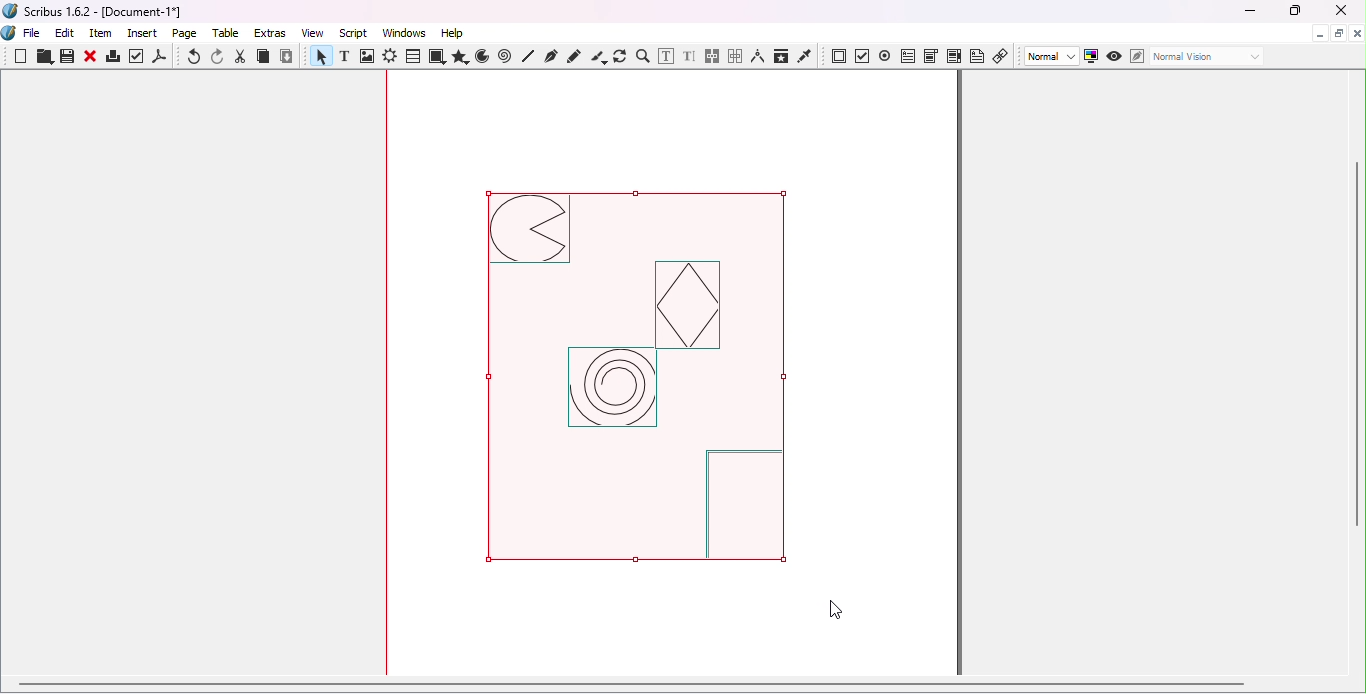  What do you see at coordinates (482, 58) in the screenshot?
I see `Arc` at bounding box center [482, 58].